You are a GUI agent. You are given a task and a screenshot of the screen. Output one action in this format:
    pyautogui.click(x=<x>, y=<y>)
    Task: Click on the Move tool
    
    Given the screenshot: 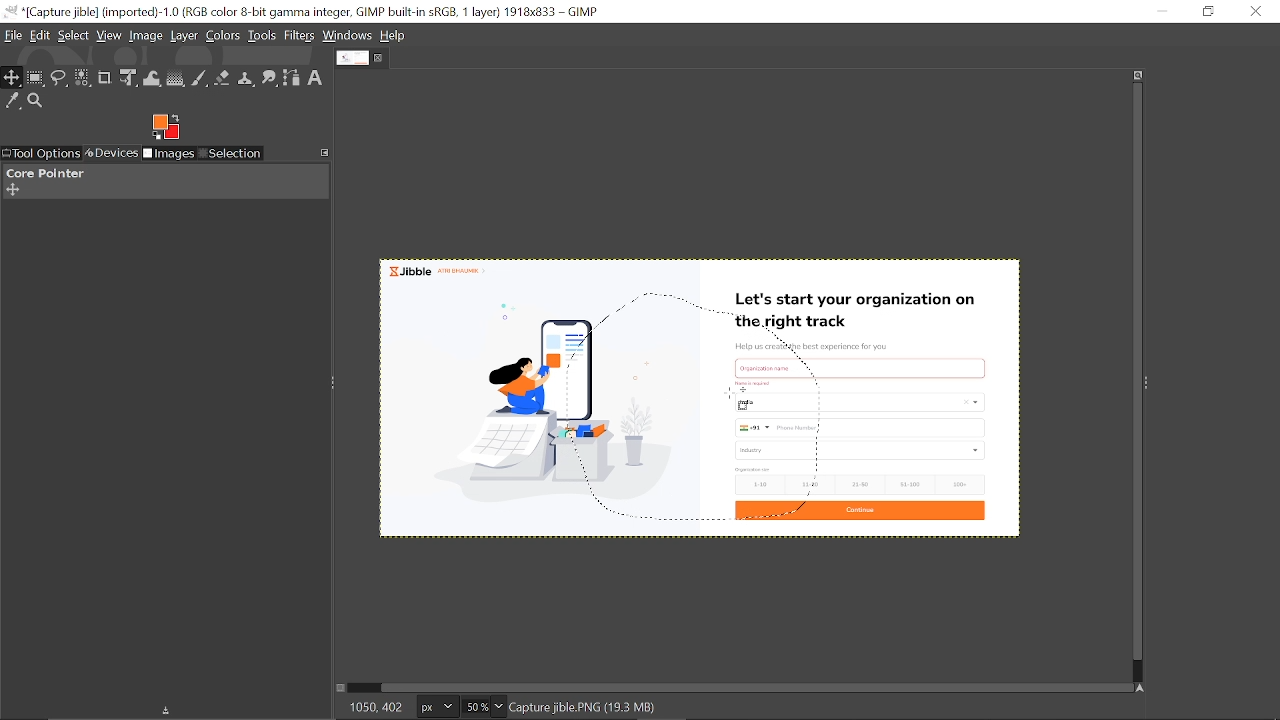 What is the action you would take?
    pyautogui.click(x=12, y=78)
    